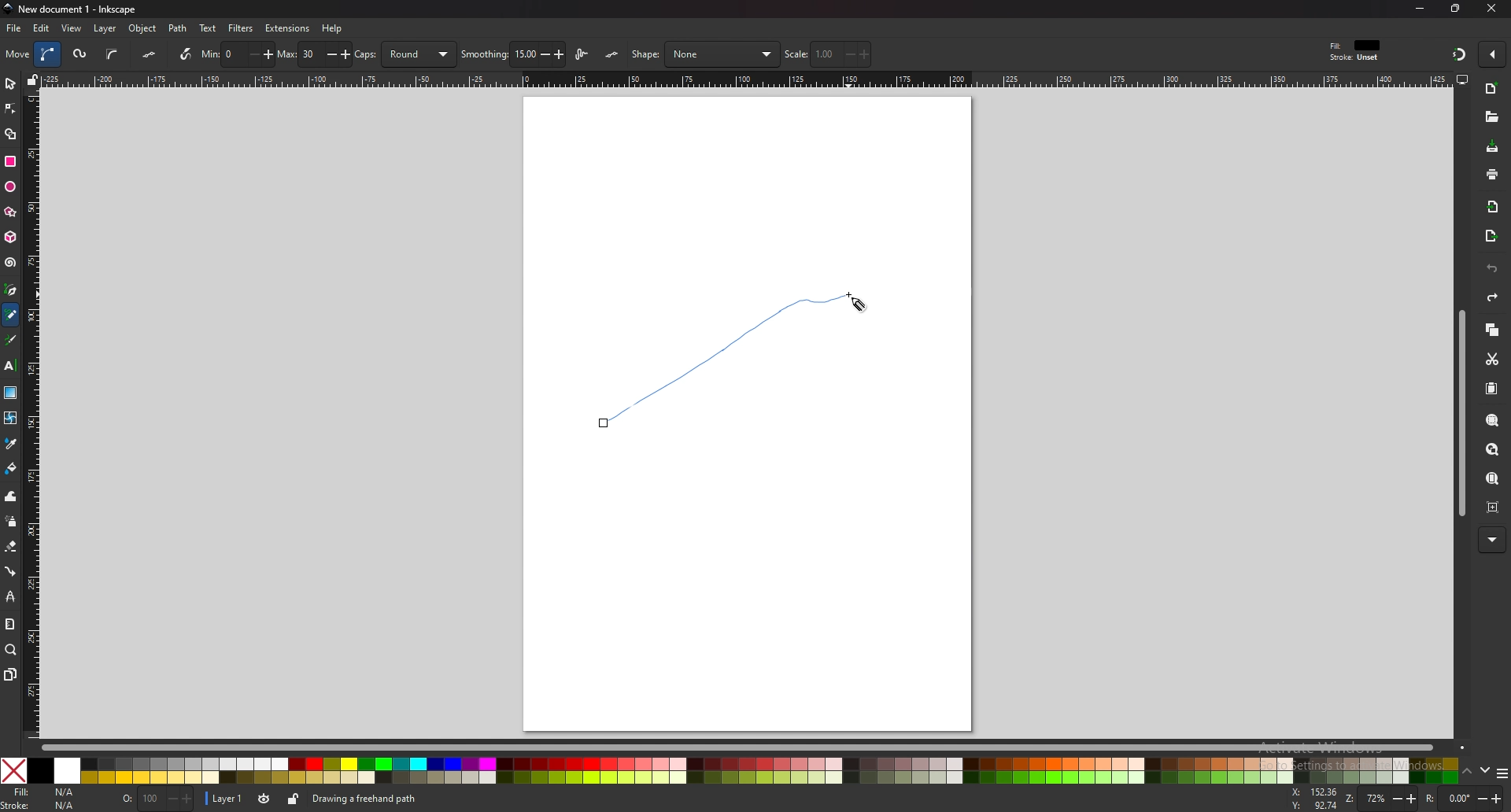  I want to click on close, so click(1491, 9).